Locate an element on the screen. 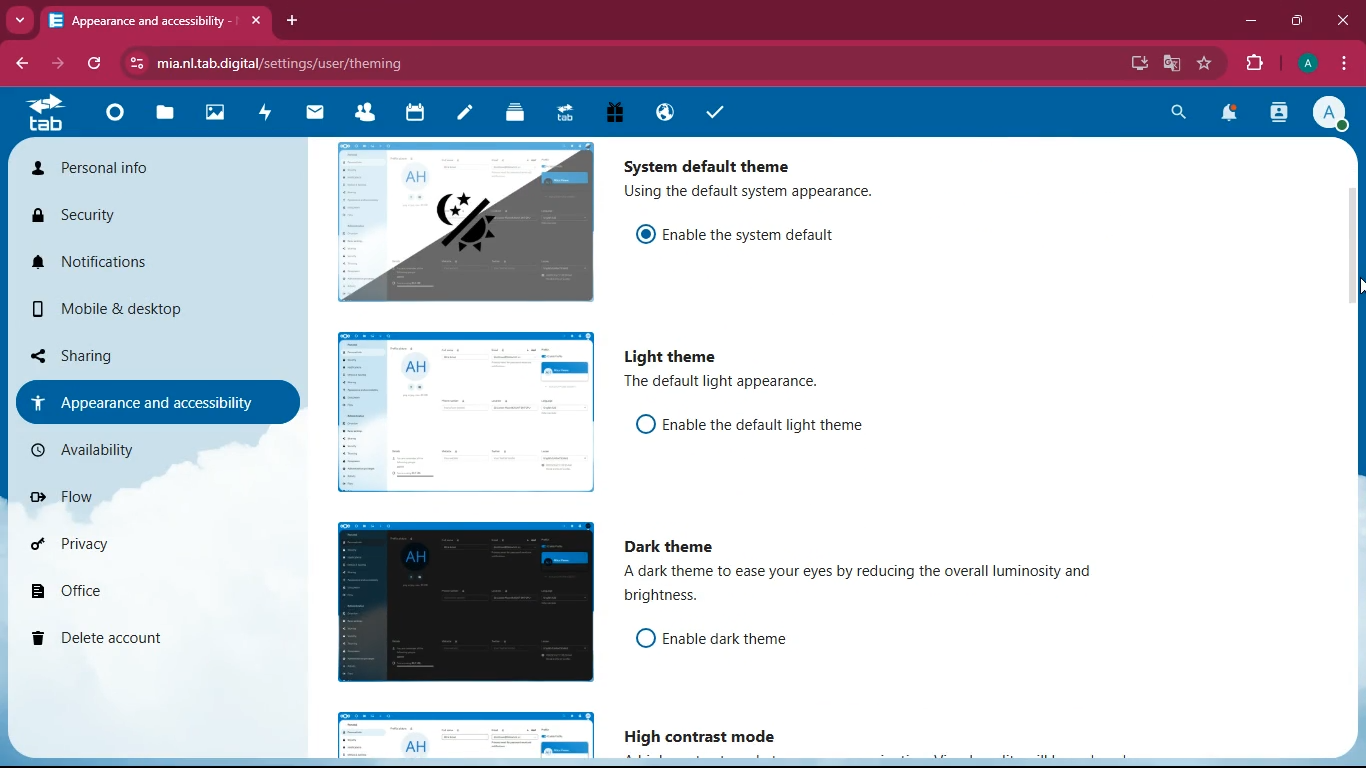  notes is located at coordinates (464, 114).